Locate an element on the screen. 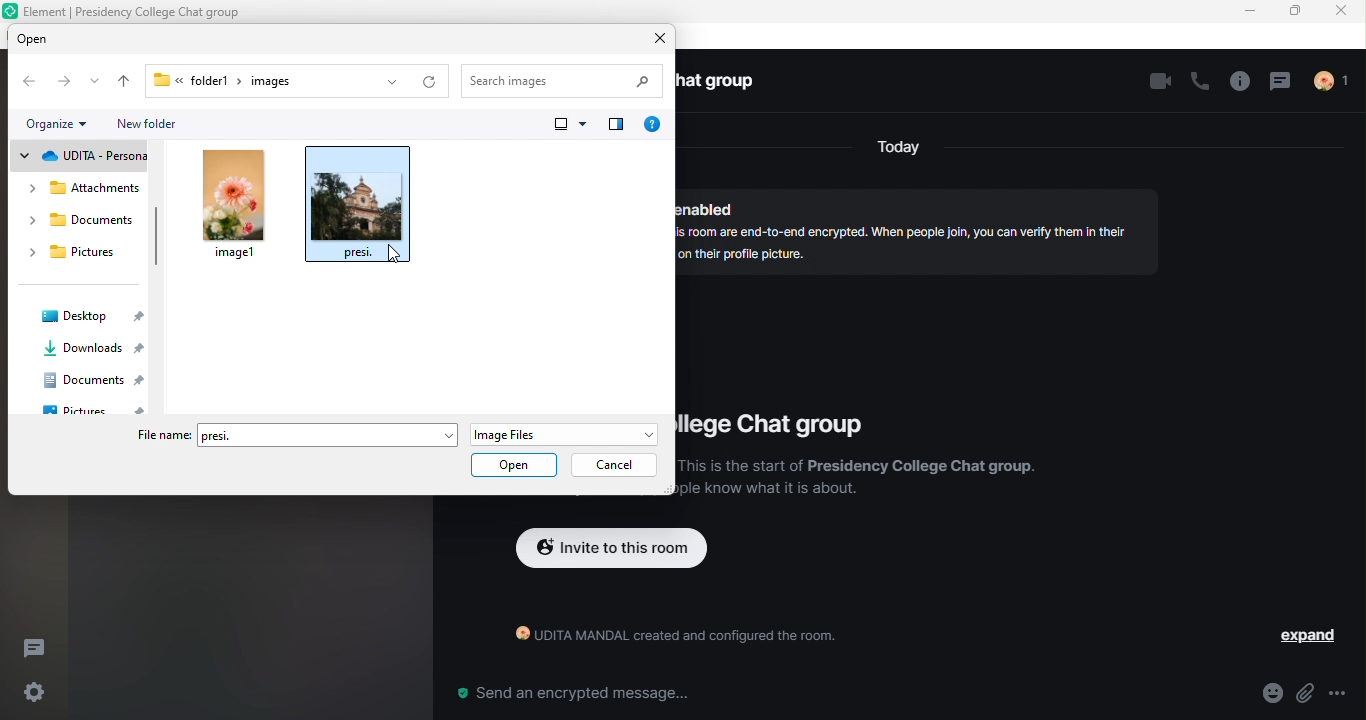  attachment is located at coordinates (1306, 694).